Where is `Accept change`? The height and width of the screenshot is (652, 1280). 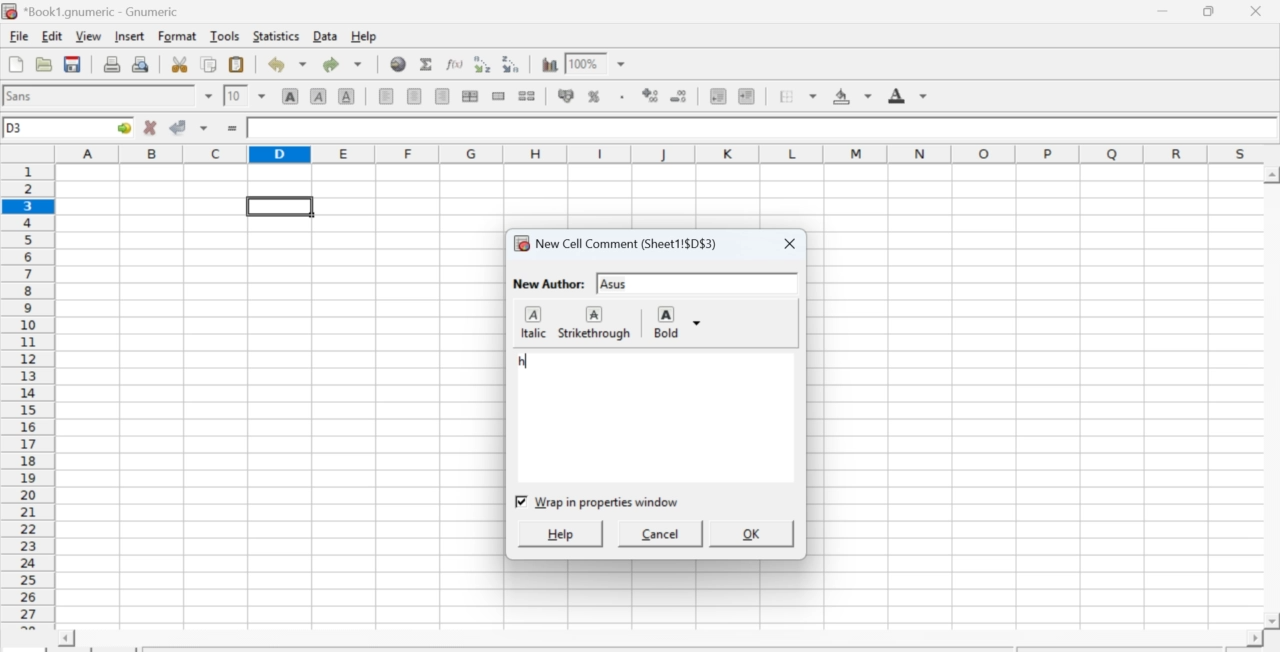
Accept change is located at coordinates (177, 127).